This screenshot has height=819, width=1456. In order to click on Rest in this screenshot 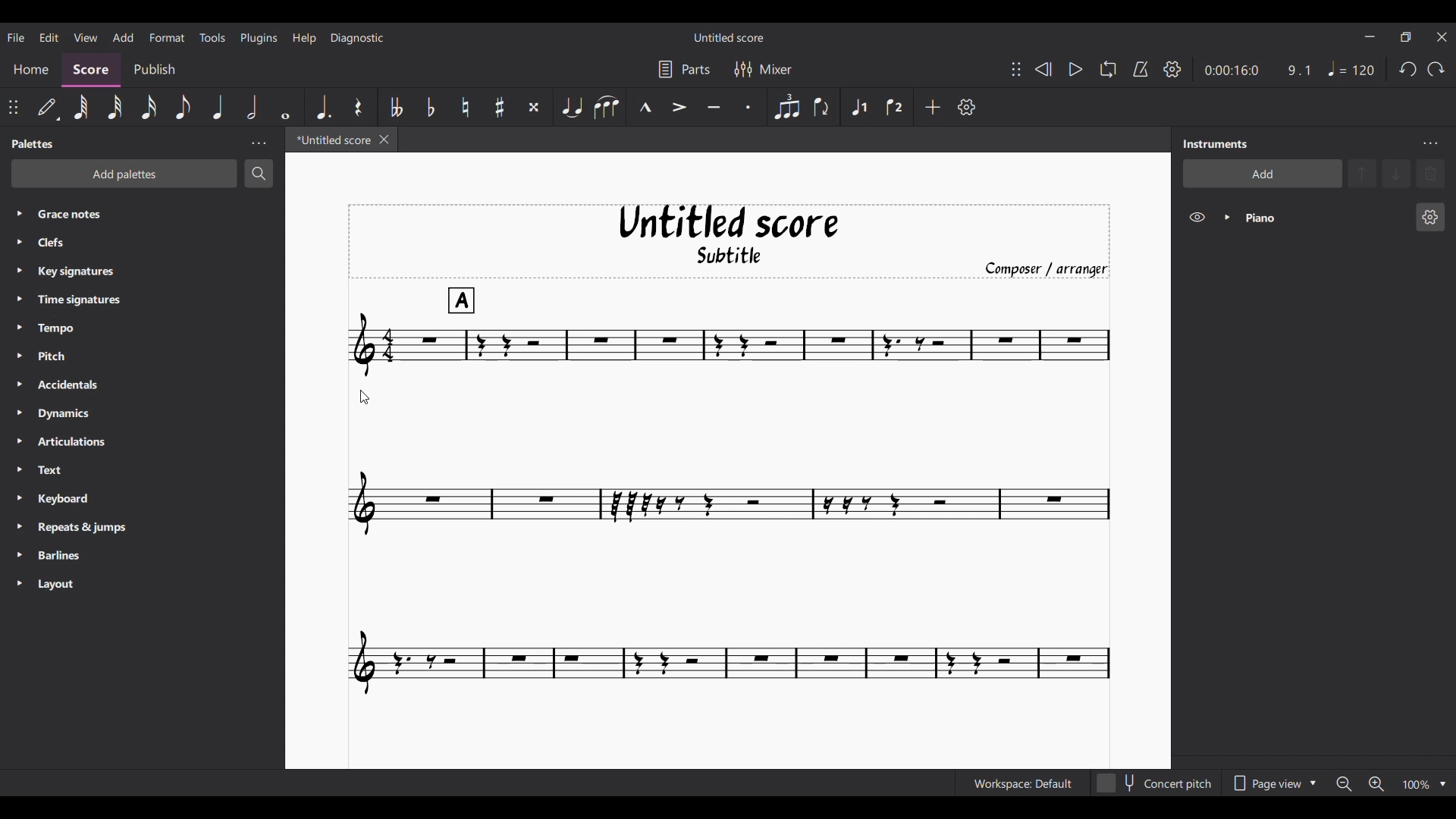, I will do `click(358, 107)`.